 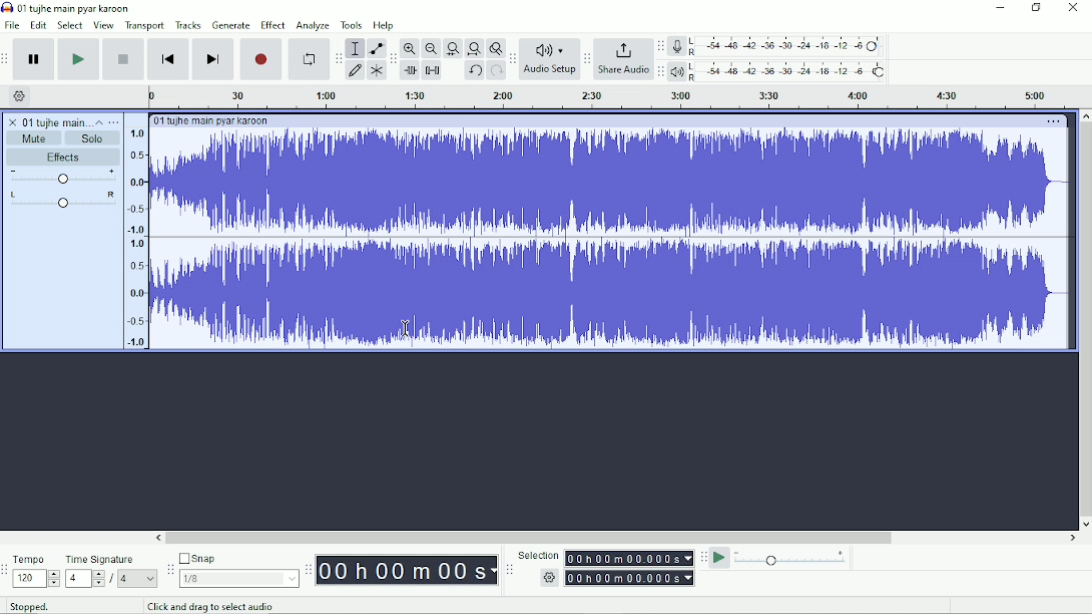 I want to click on Audio, so click(x=597, y=240).